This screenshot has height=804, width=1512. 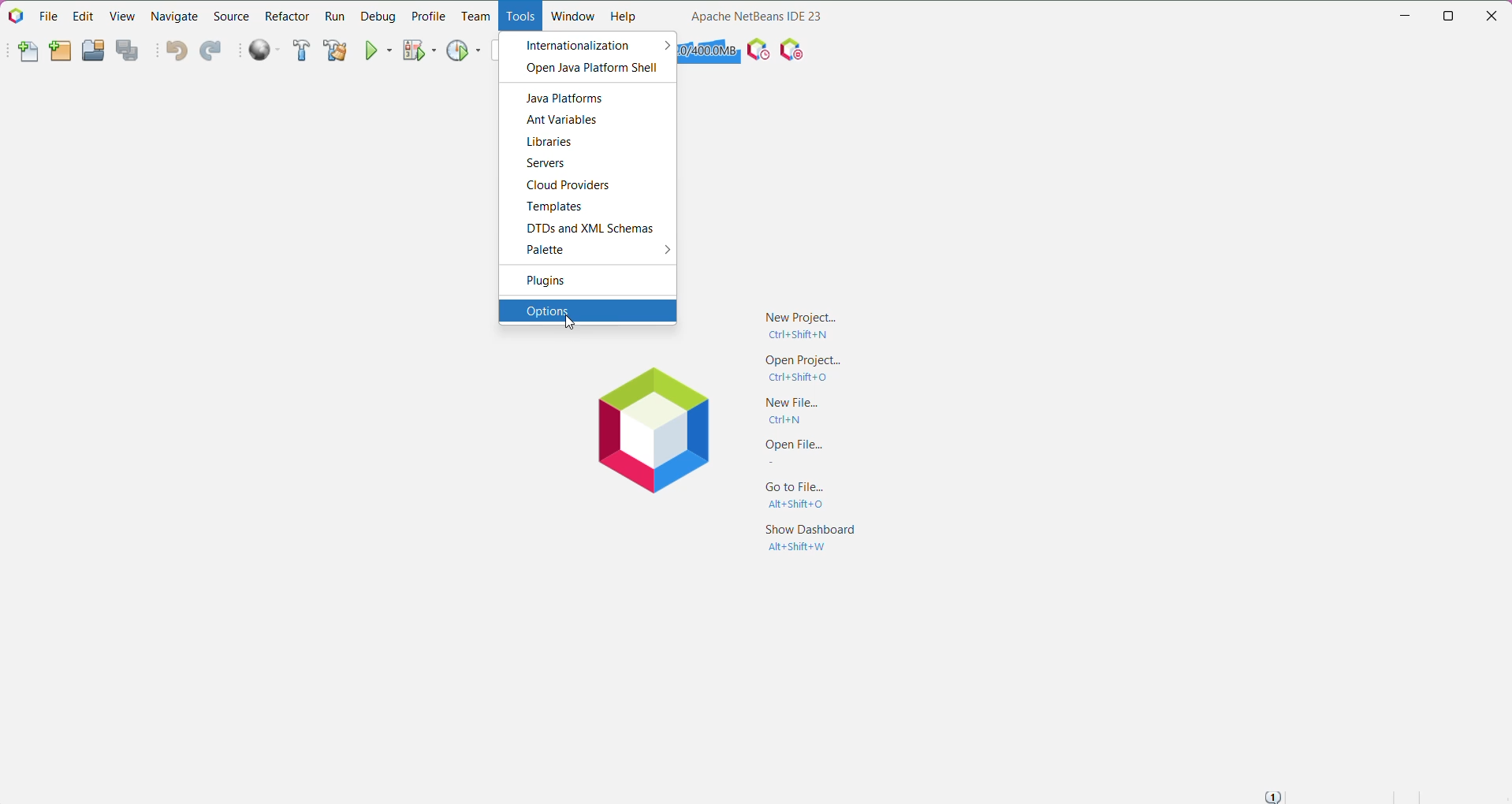 I want to click on New Project, so click(x=60, y=52).